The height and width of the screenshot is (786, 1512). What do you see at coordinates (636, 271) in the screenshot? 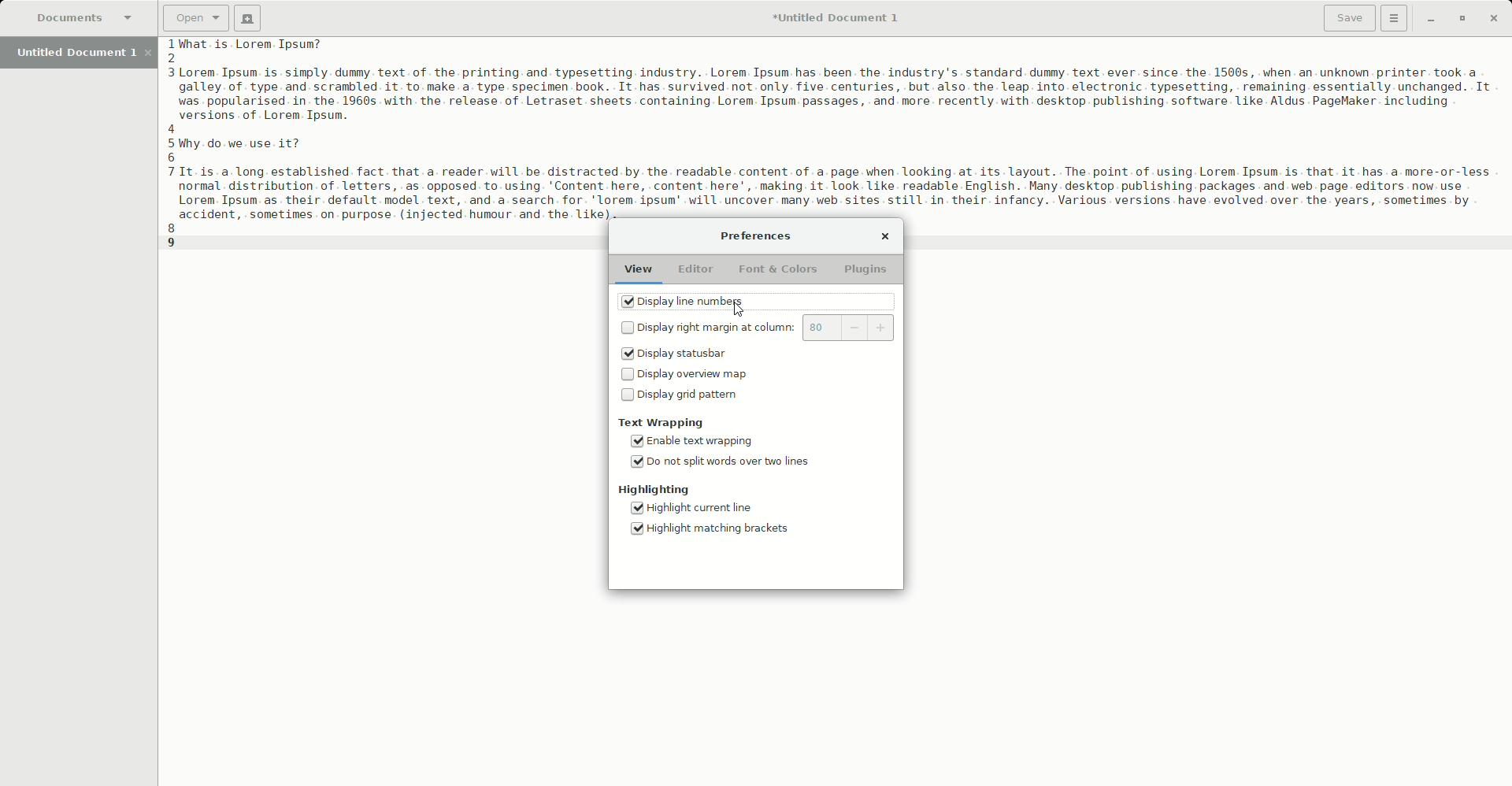
I see `View` at bounding box center [636, 271].